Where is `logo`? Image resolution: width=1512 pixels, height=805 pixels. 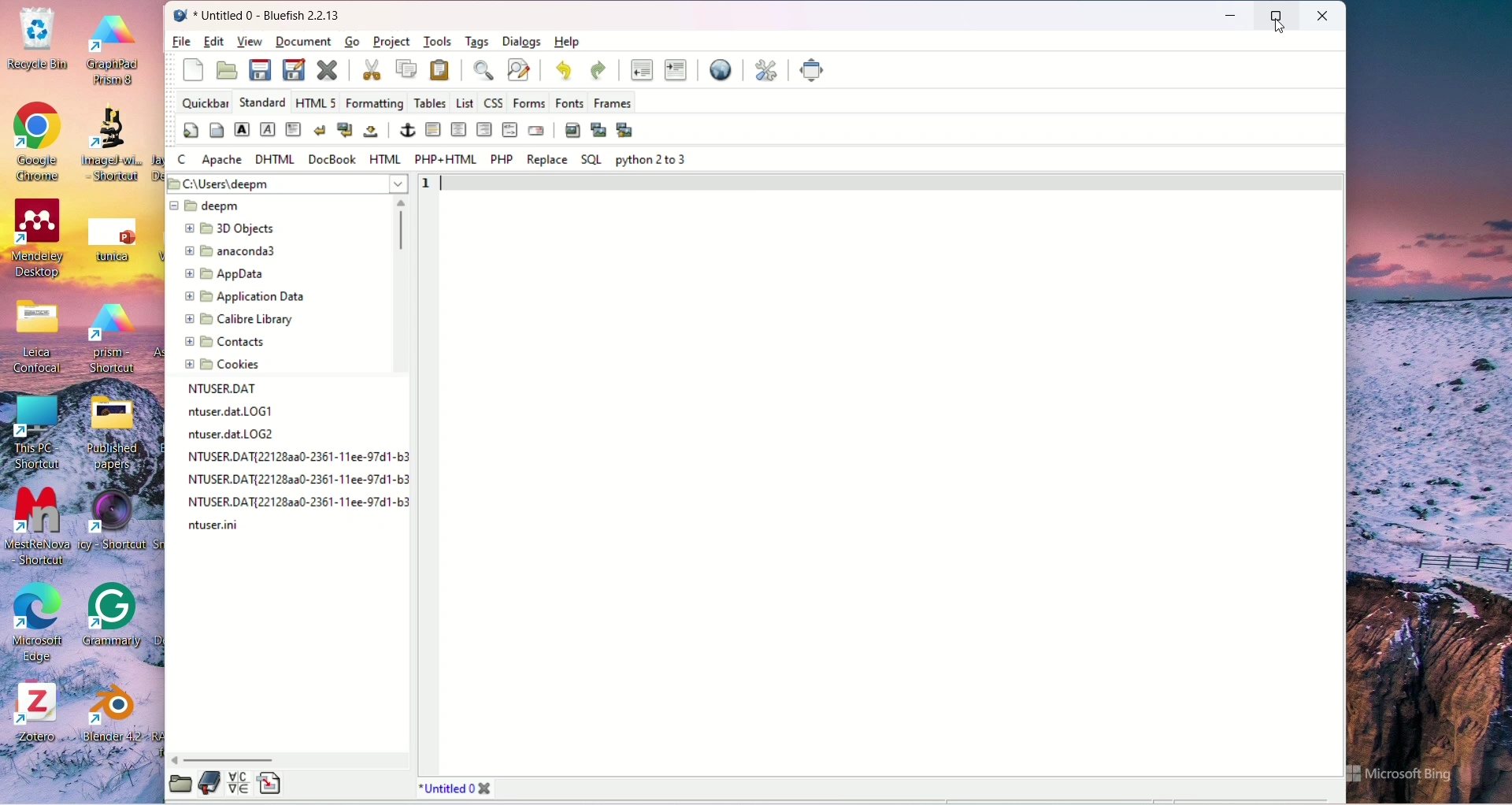
logo is located at coordinates (181, 16).